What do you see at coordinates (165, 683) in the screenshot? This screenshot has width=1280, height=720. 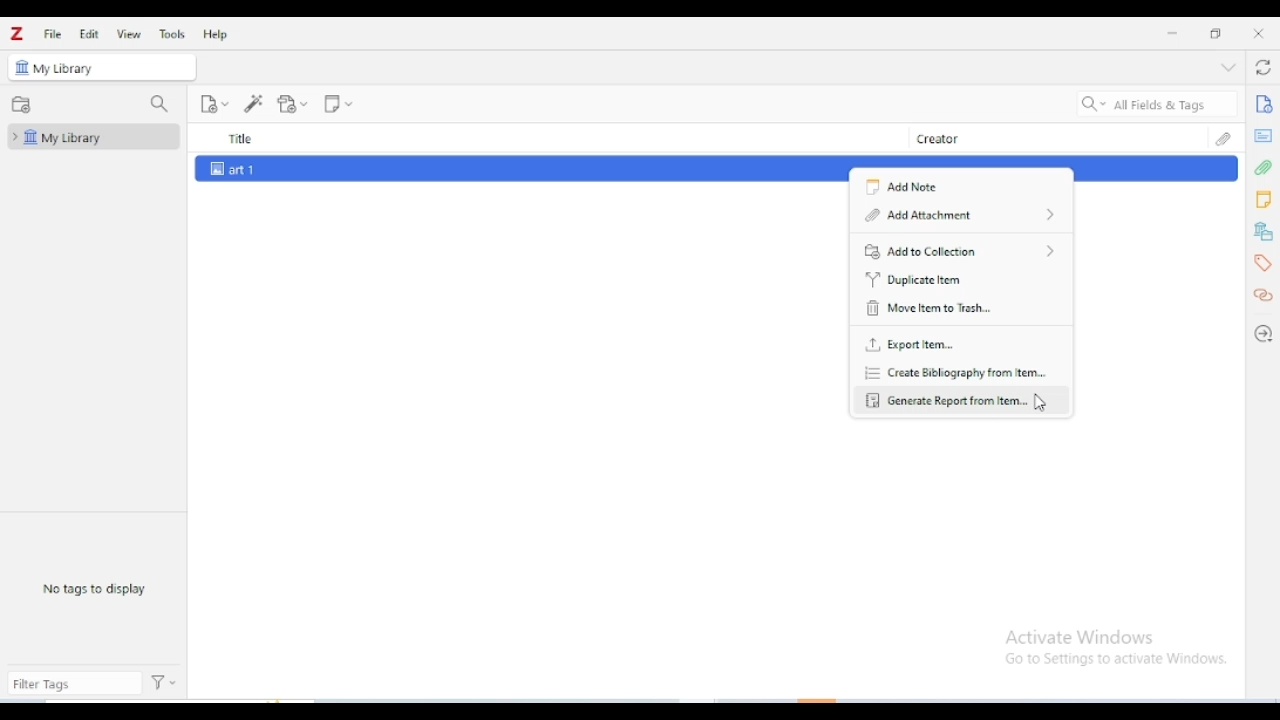 I see `actions` at bounding box center [165, 683].